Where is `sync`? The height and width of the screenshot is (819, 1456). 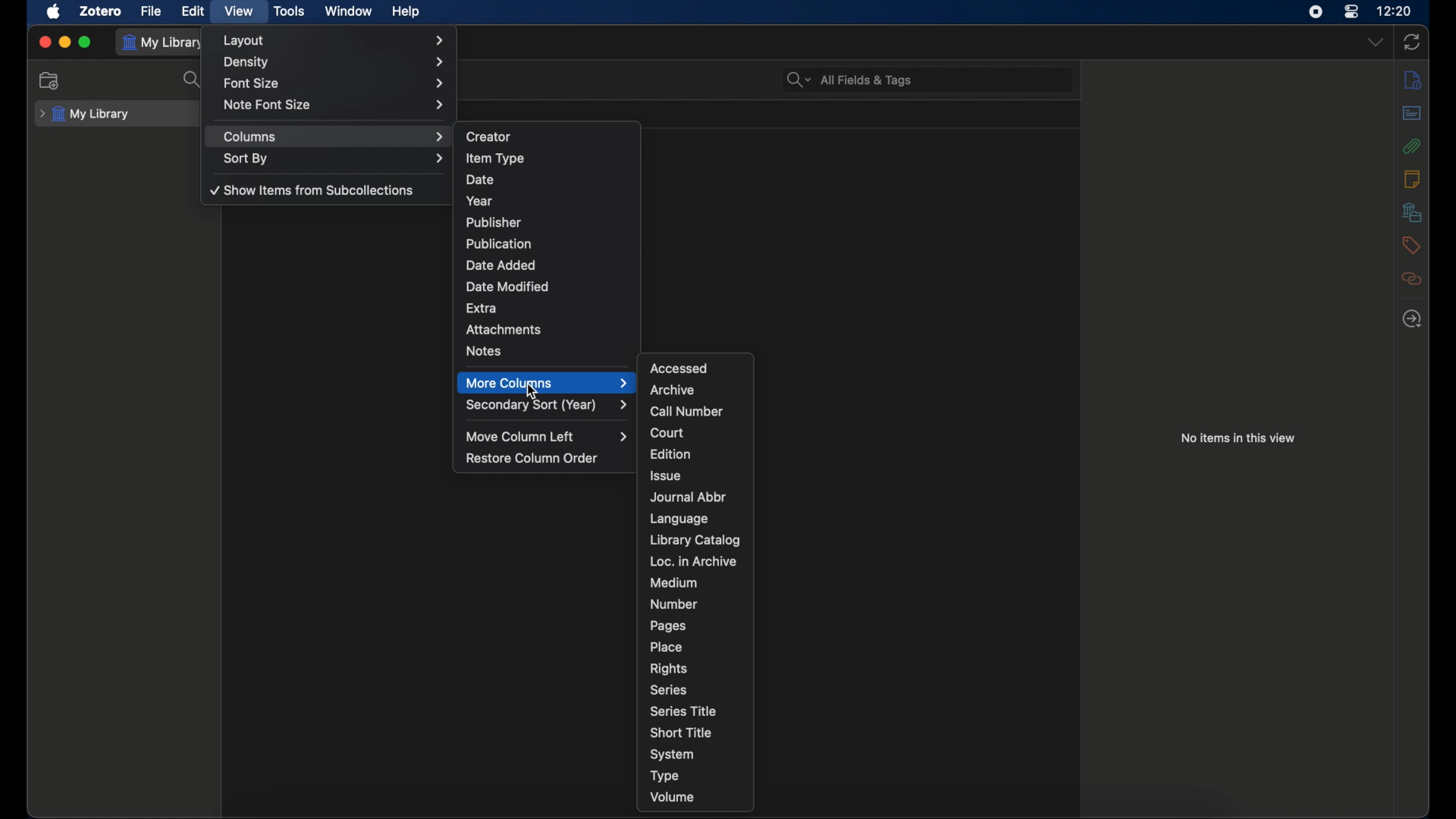 sync is located at coordinates (1411, 42).